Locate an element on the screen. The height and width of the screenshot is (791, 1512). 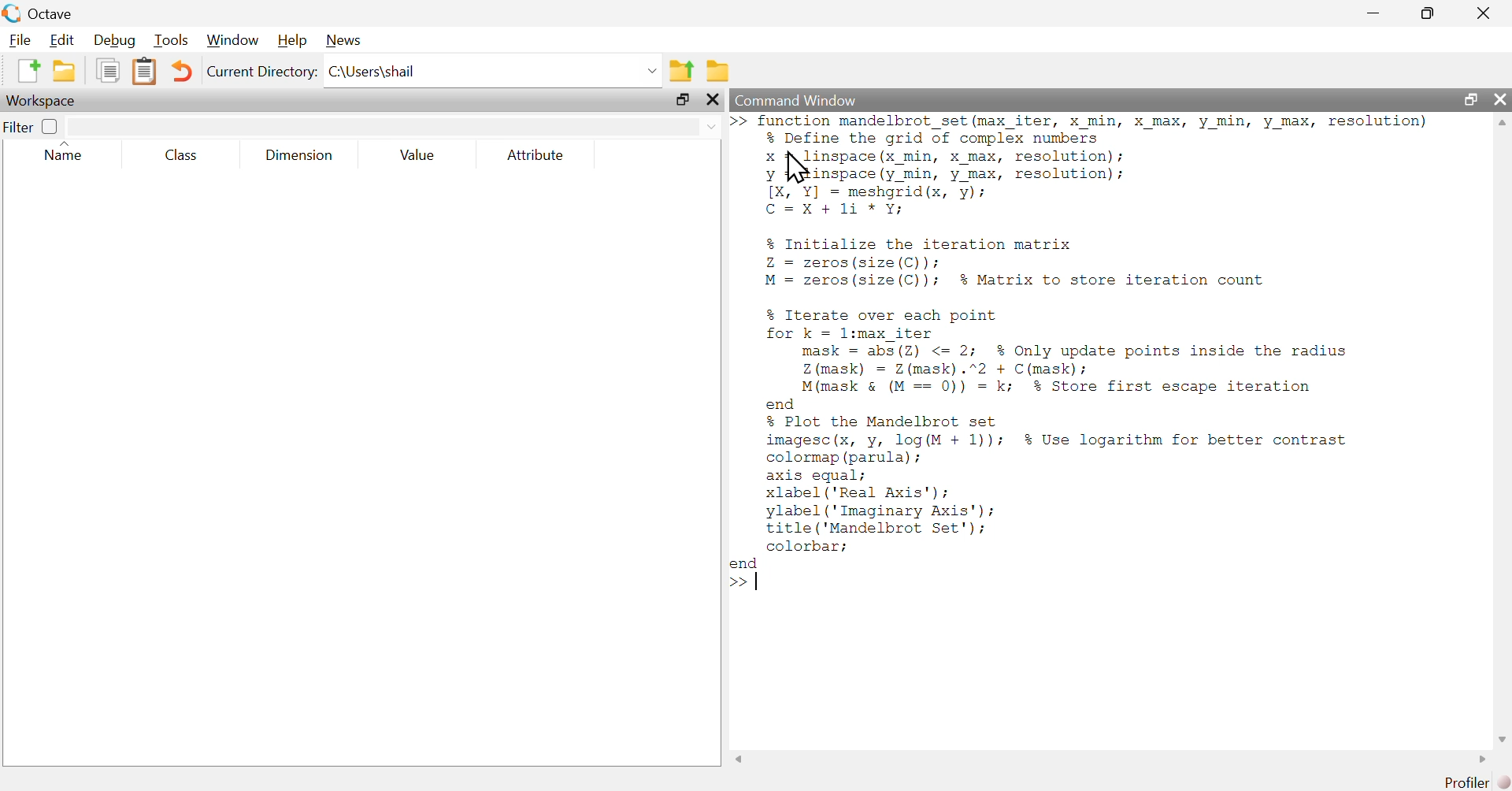
Class is located at coordinates (182, 154).